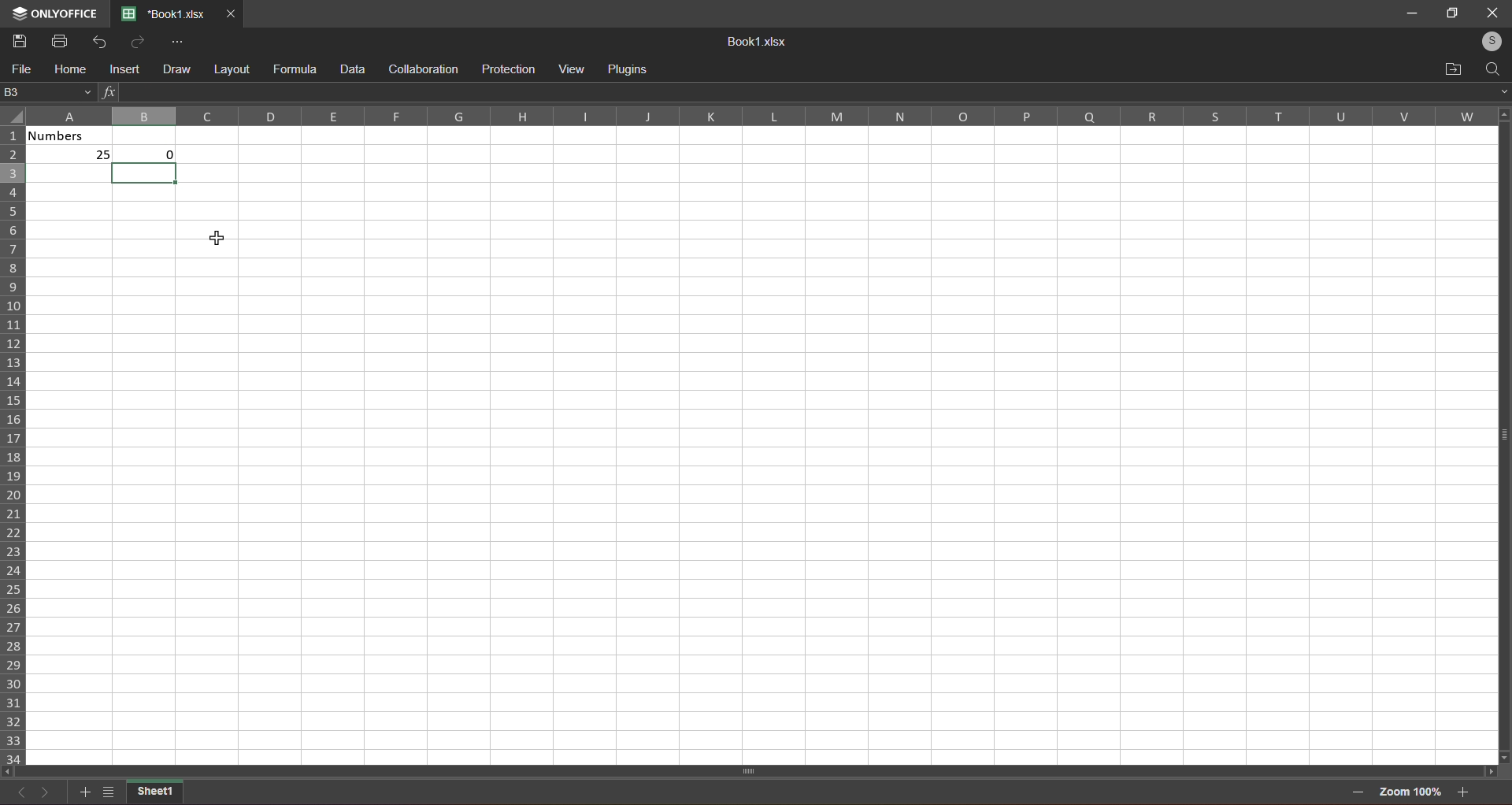 This screenshot has width=1512, height=805. What do you see at coordinates (219, 237) in the screenshot?
I see `cursor` at bounding box center [219, 237].